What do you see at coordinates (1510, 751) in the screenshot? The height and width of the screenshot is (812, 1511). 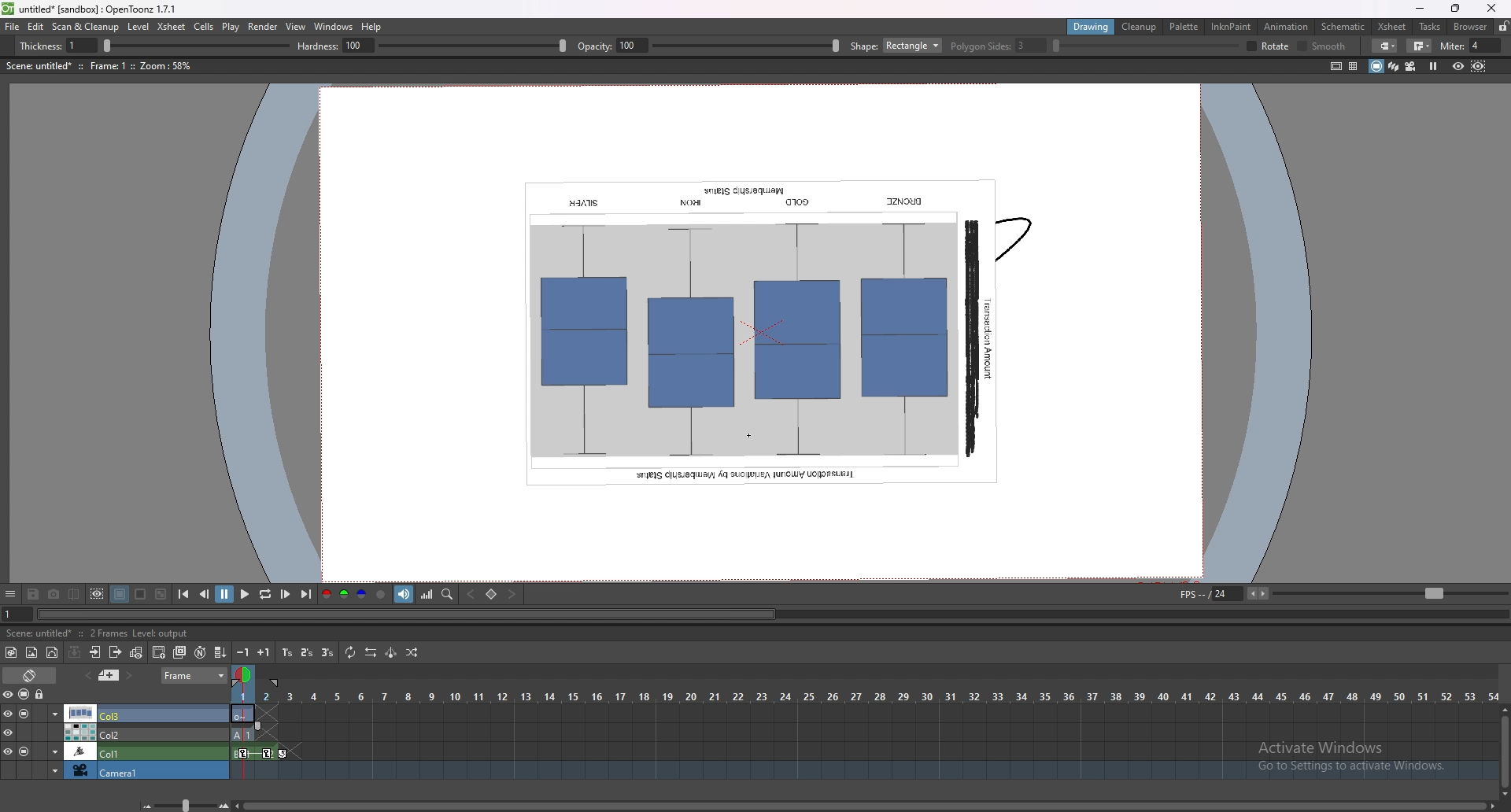 I see `scroll bar` at bounding box center [1510, 751].